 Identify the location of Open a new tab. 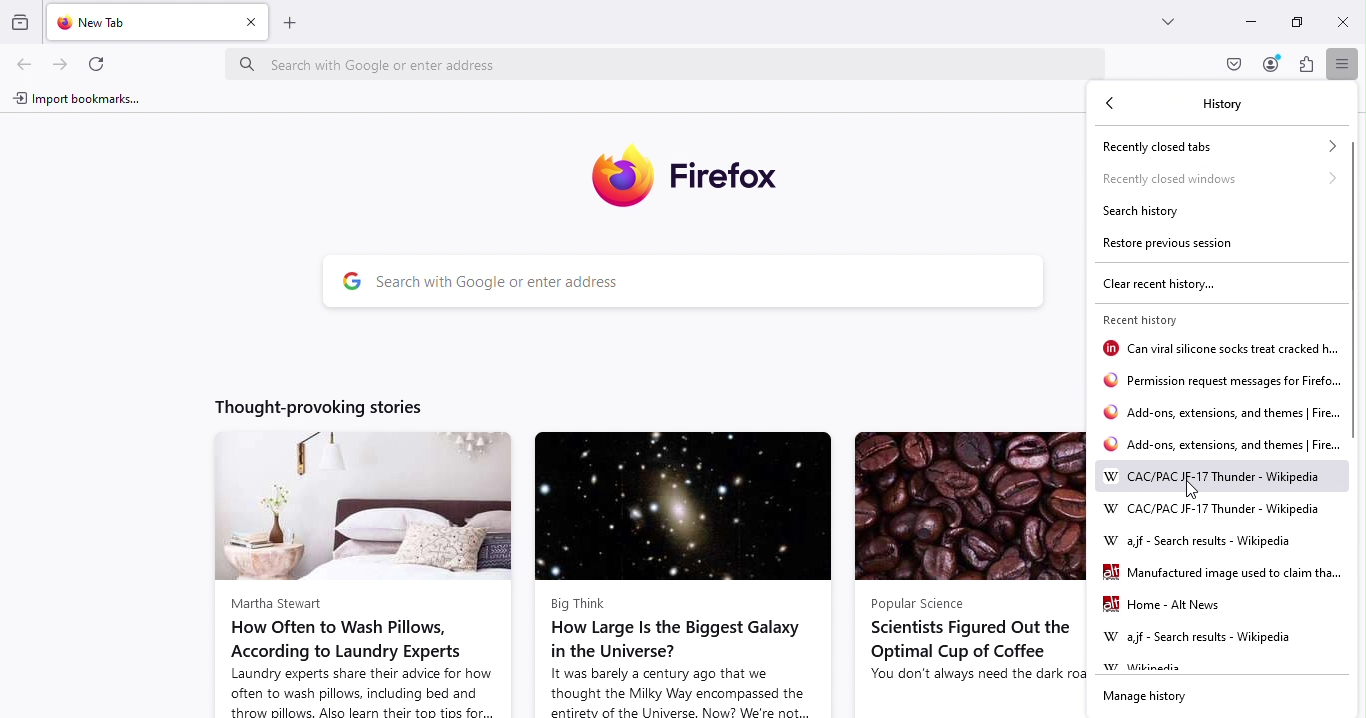
(295, 23).